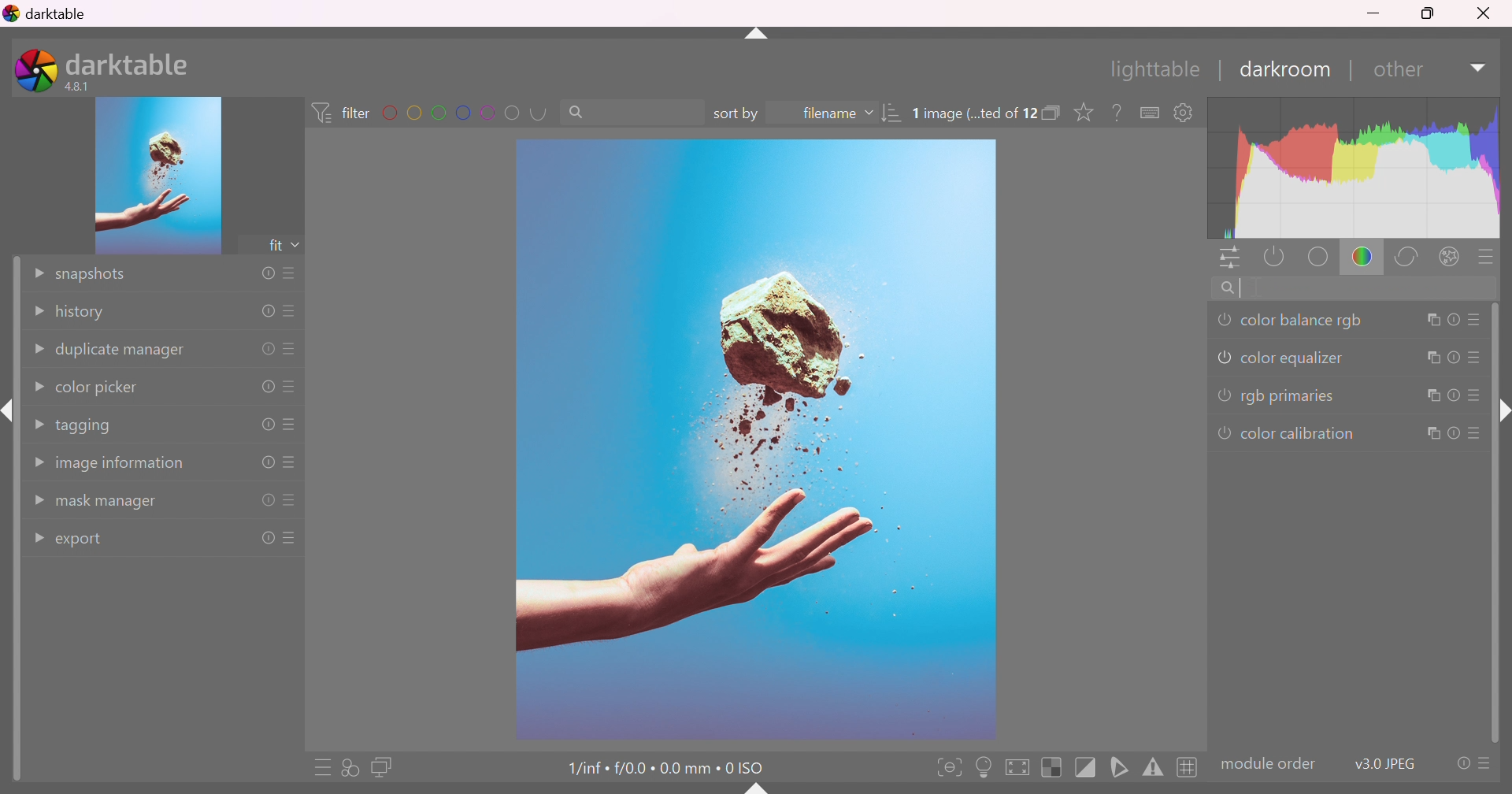 The width and height of the screenshot is (1512, 794). I want to click on mask manager, so click(110, 504).